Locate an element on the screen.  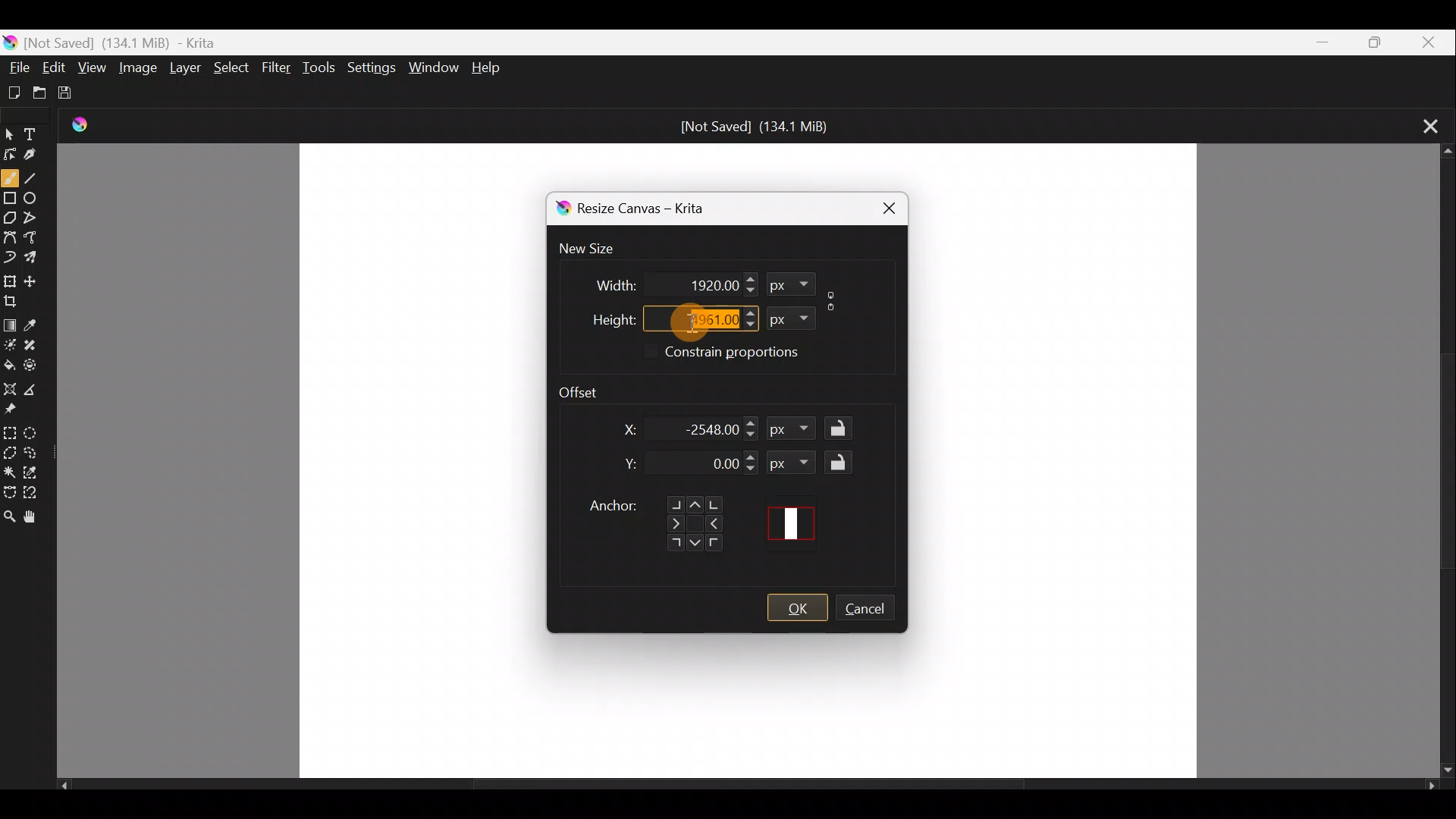
Scroll bar is located at coordinates (1441, 462).